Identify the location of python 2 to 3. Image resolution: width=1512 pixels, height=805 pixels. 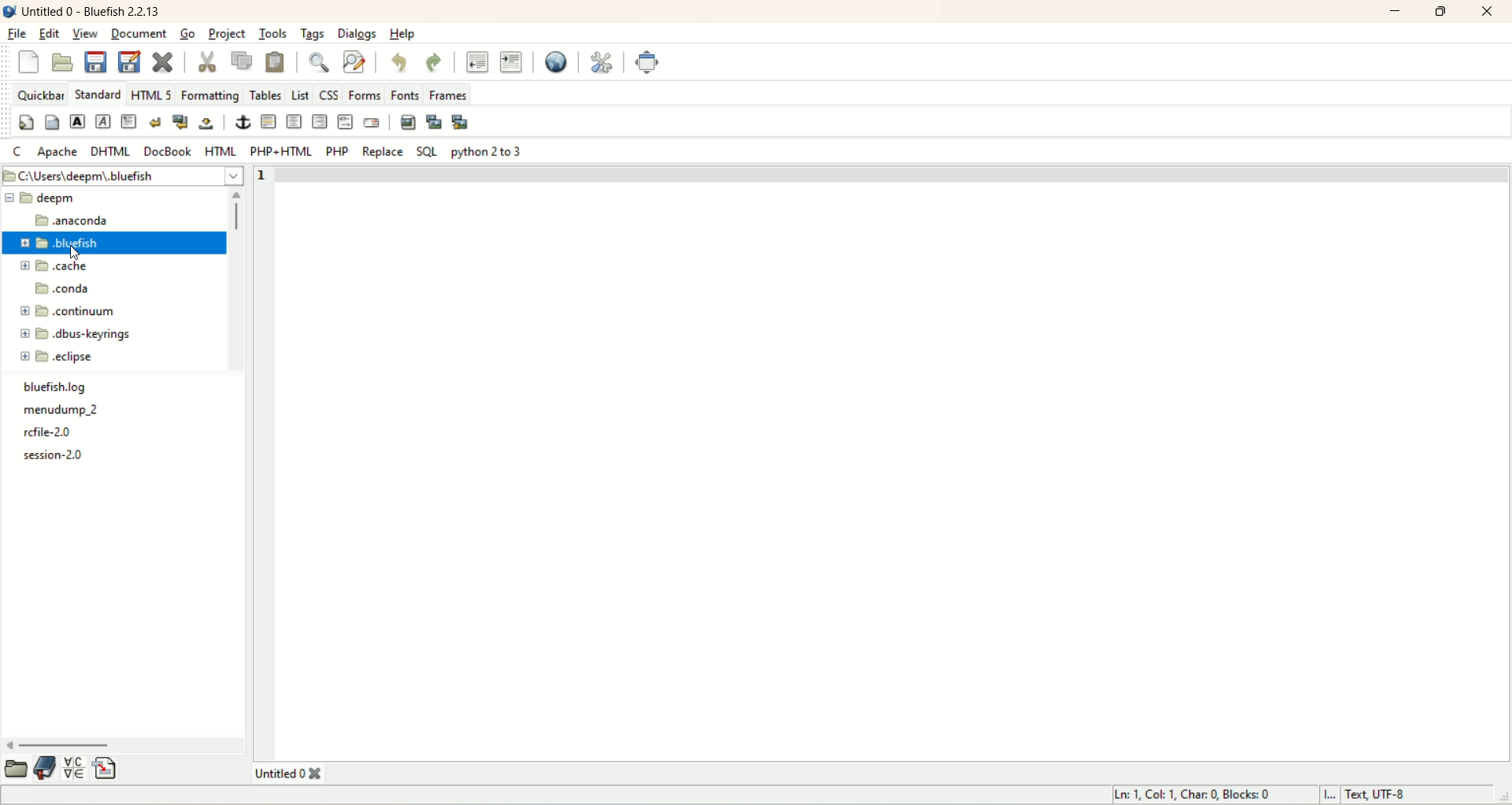
(486, 150).